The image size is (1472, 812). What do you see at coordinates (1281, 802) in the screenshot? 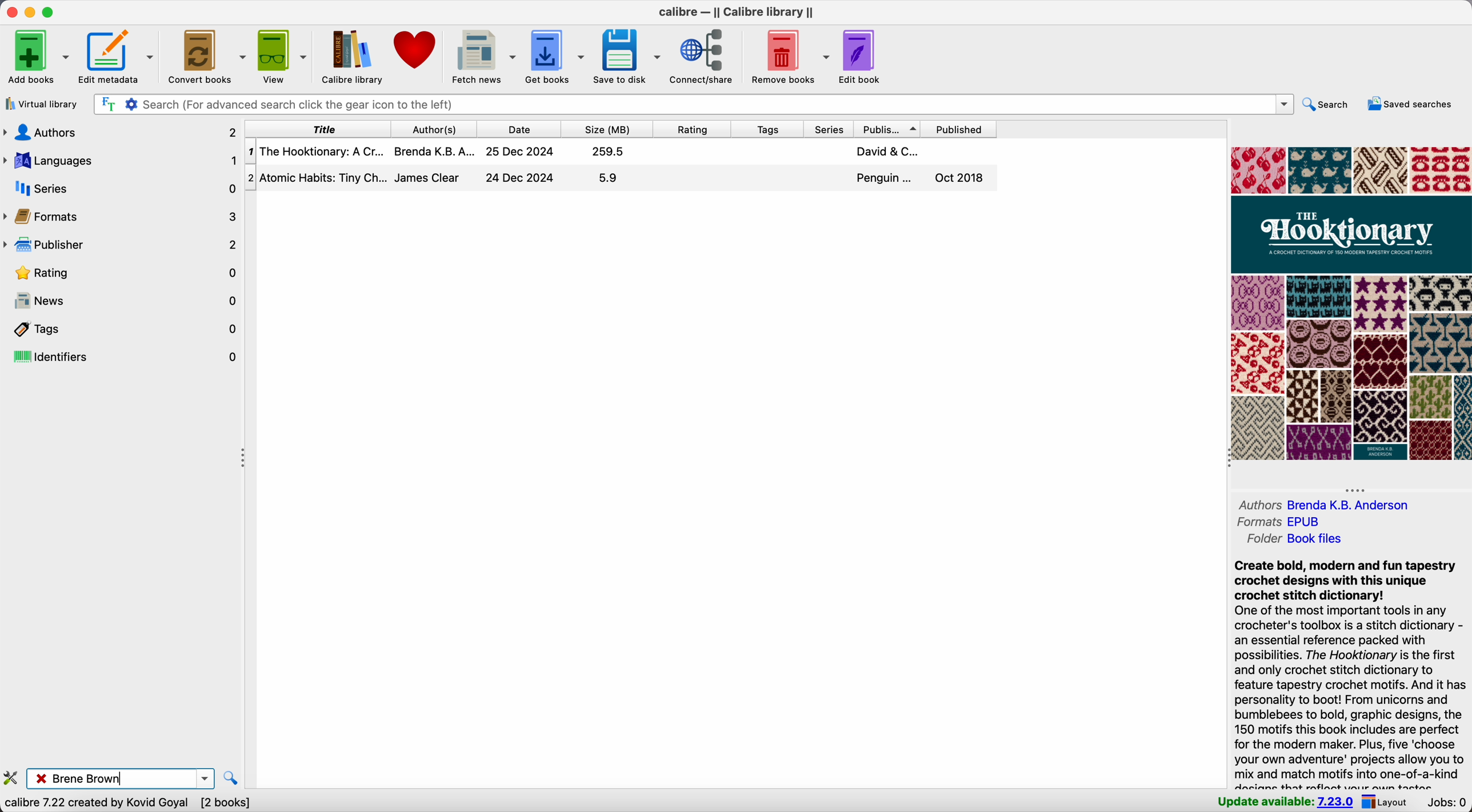
I see `update available` at bounding box center [1281, 802].